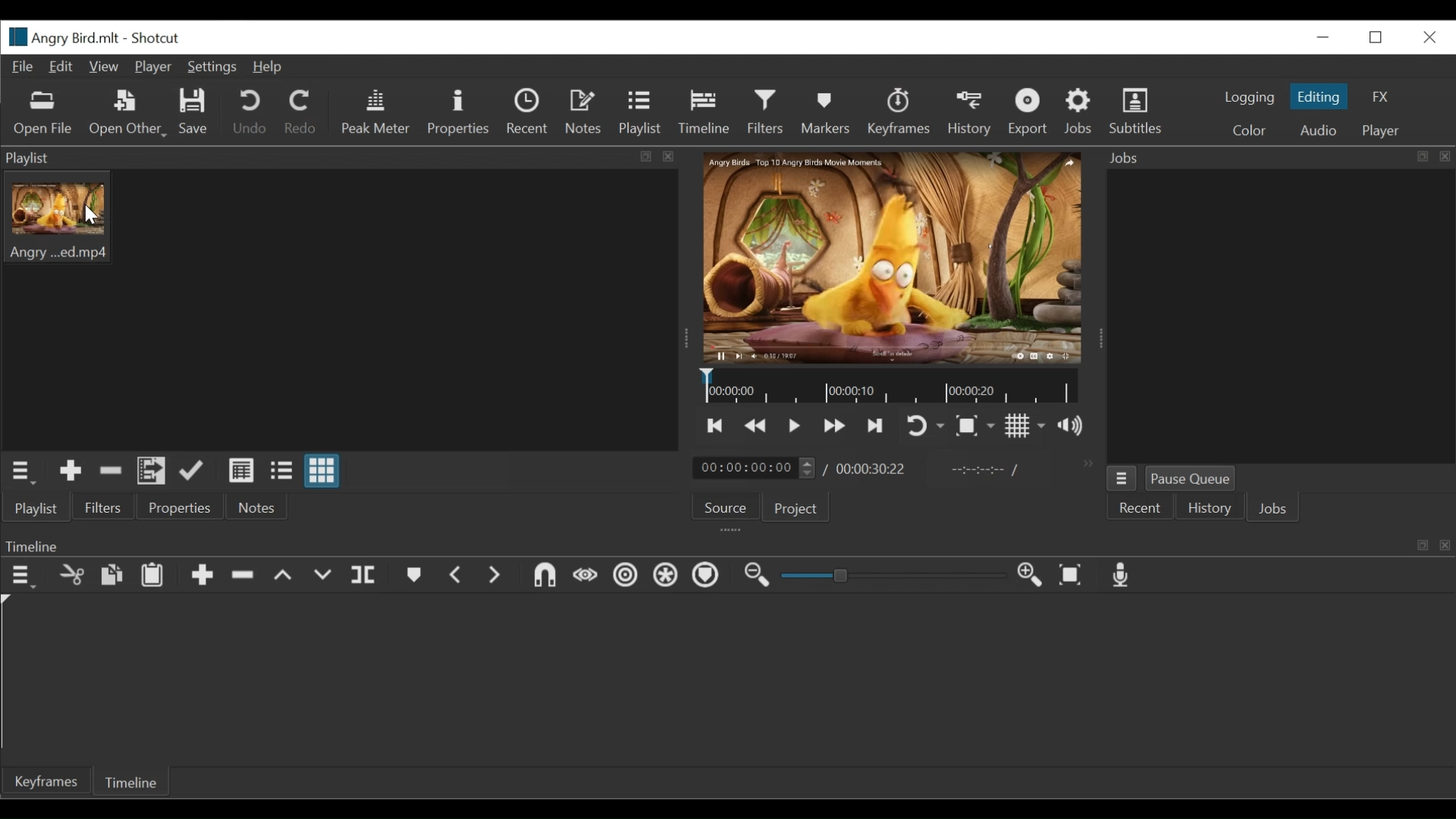 The height and width of the screenshot is (819, 1456). Describe the element at coordinates (61, 67) in the screenshot. I see `Edit` at that location.